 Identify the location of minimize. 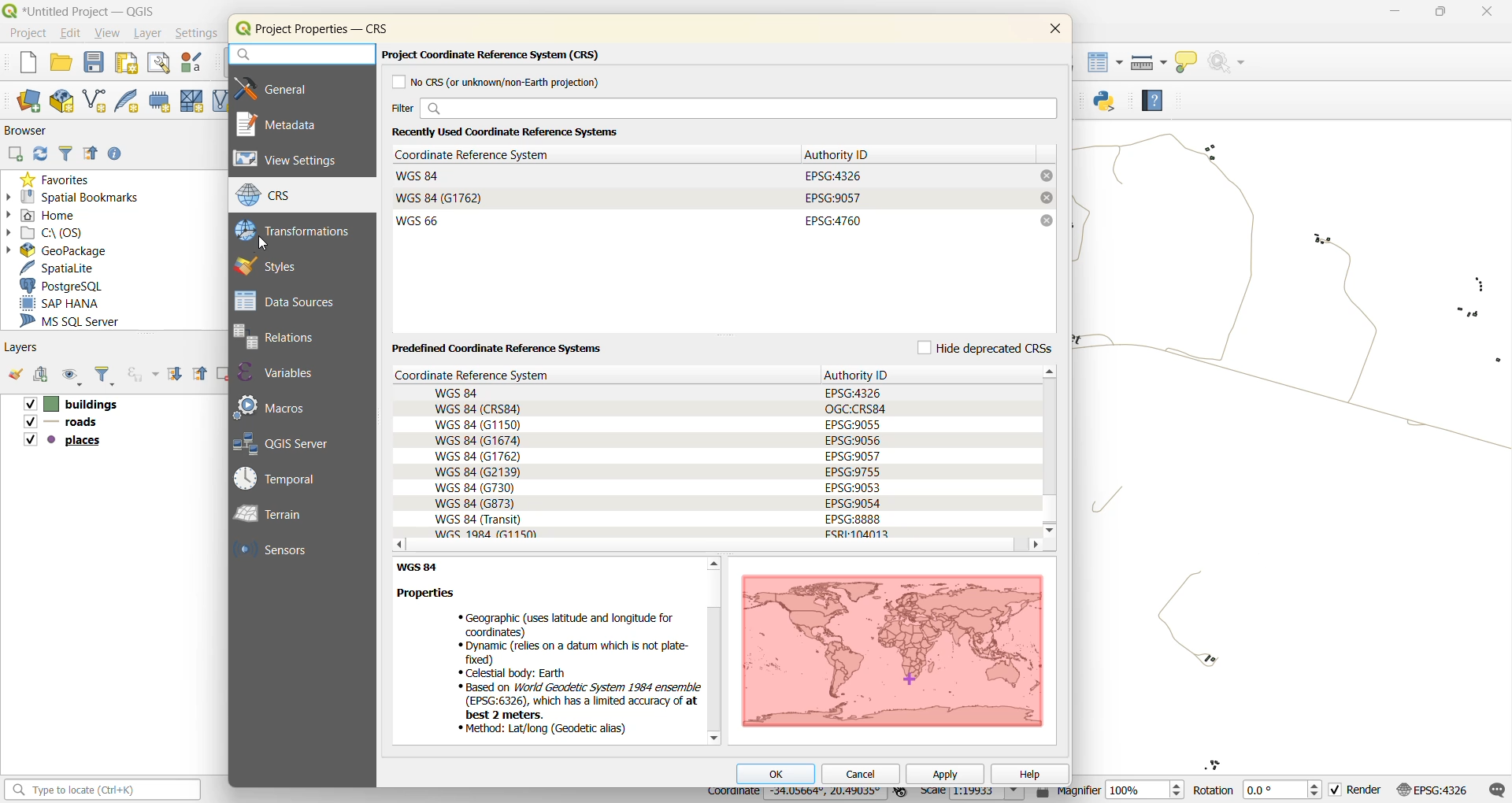
(1392, 13).